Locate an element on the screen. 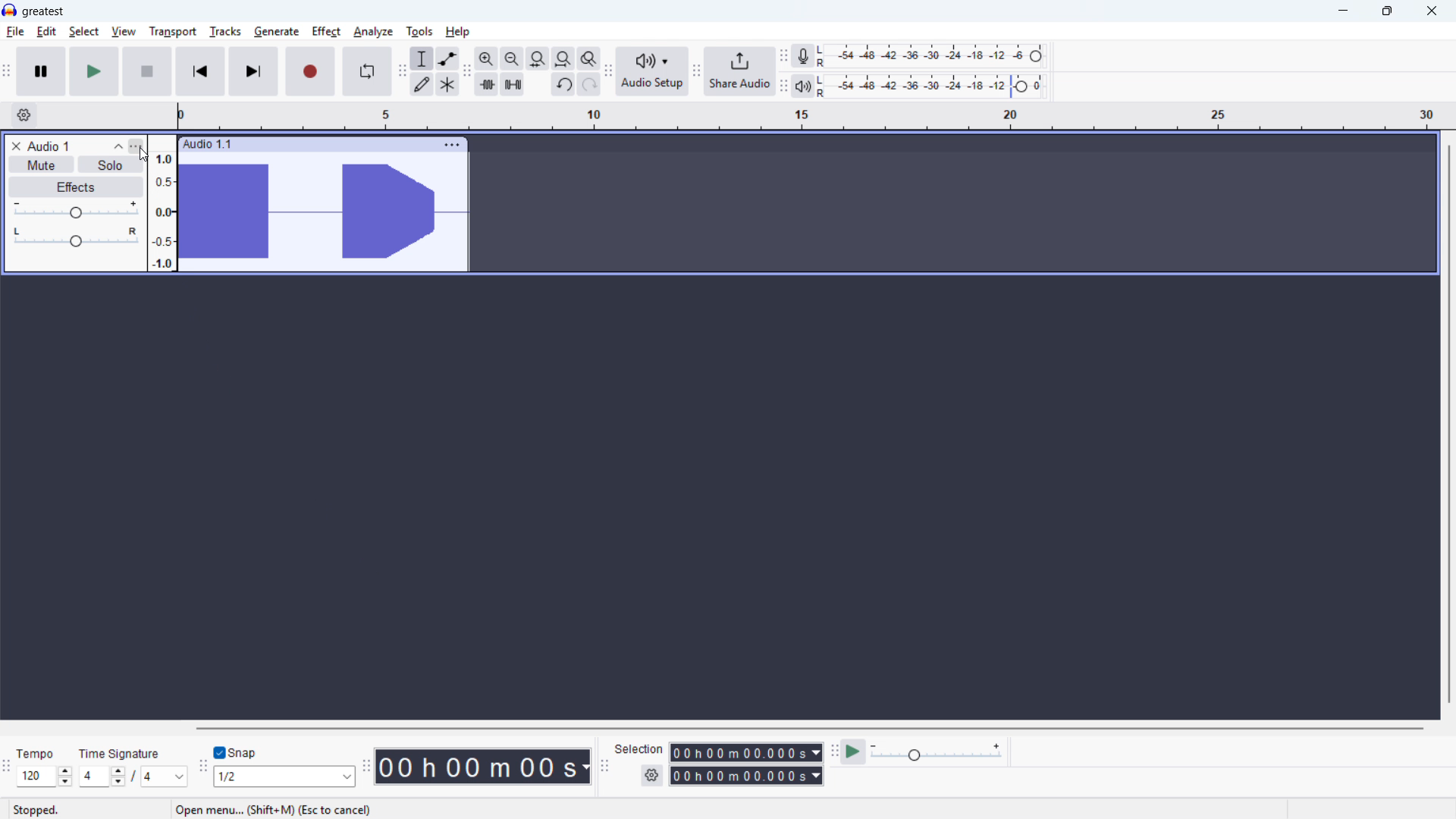 The height and width of the screenshot is (819, 1456). Set snapping  is located at coordinates (284, 776).